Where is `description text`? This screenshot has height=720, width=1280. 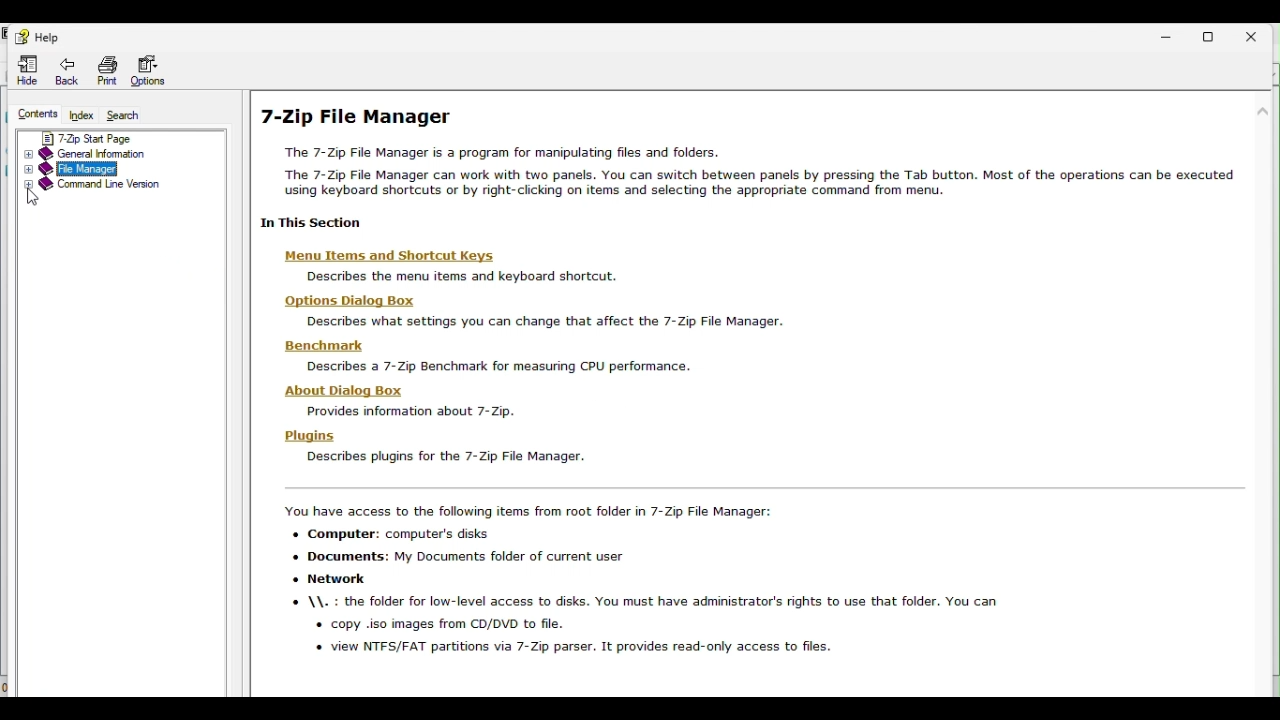 description text is located at coordinates (461, 279).